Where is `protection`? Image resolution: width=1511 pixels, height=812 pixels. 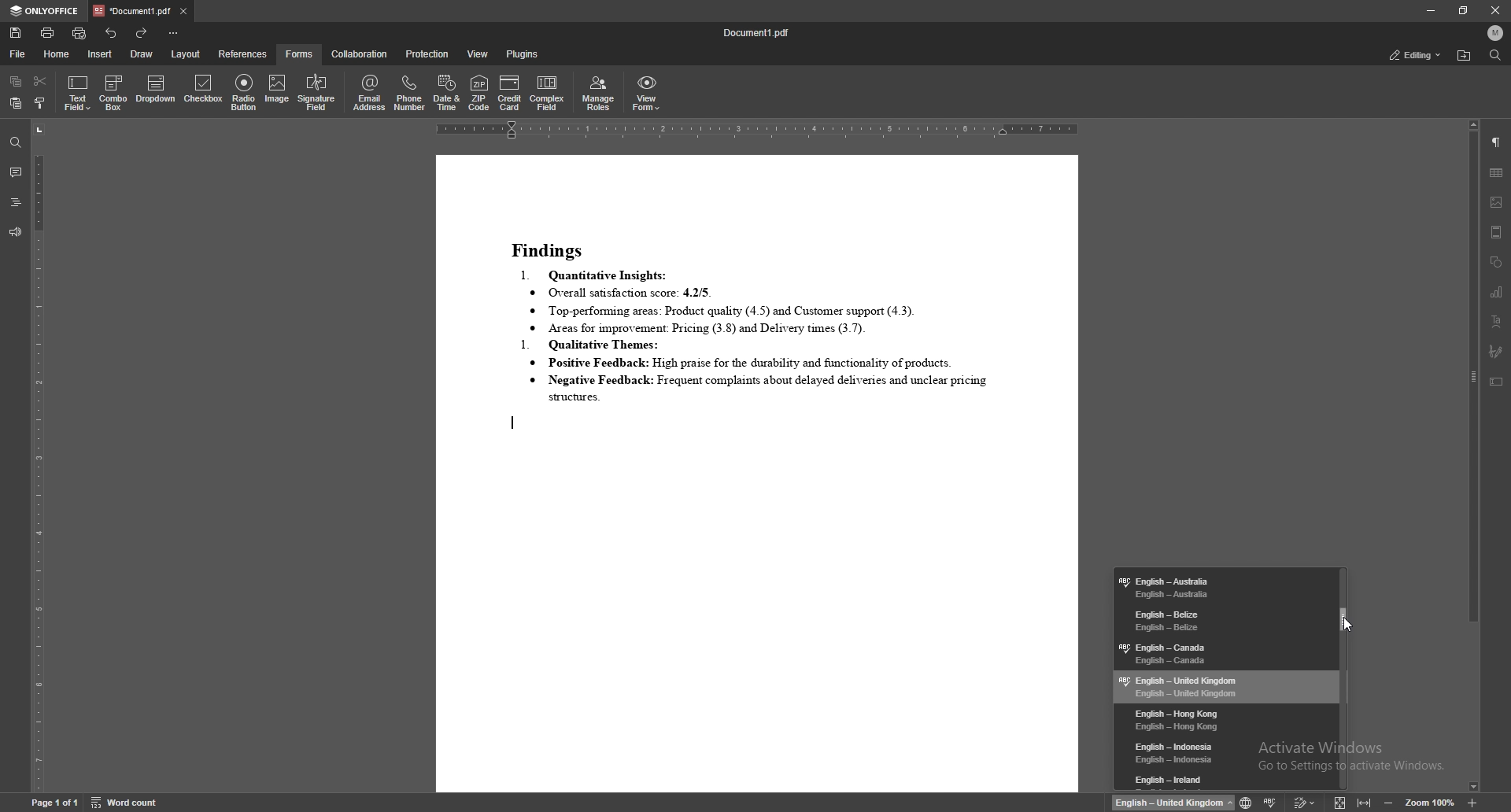
protection is located at coordinates (427, 54).